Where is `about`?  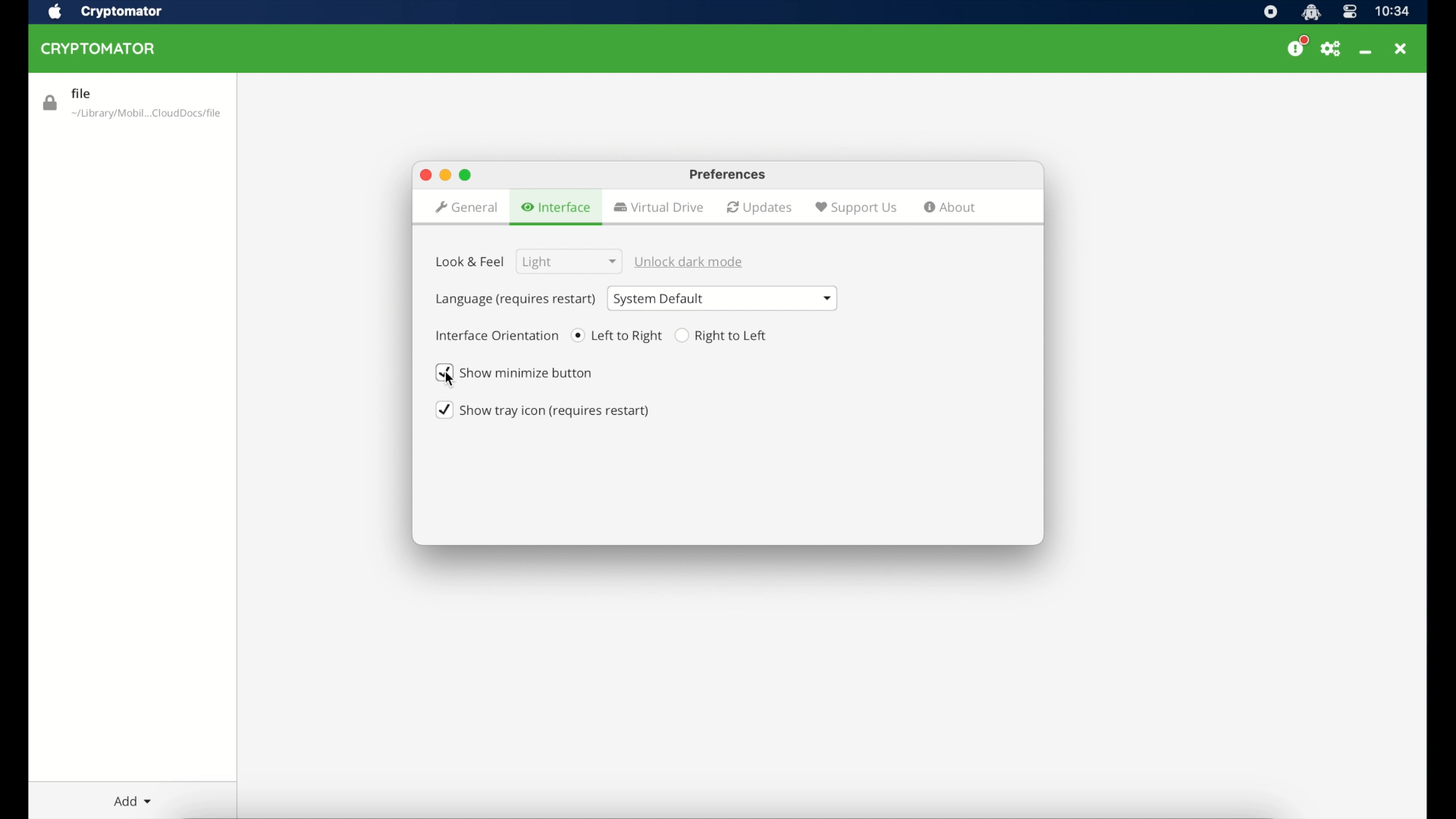 about is located at coordinates (950, 207).